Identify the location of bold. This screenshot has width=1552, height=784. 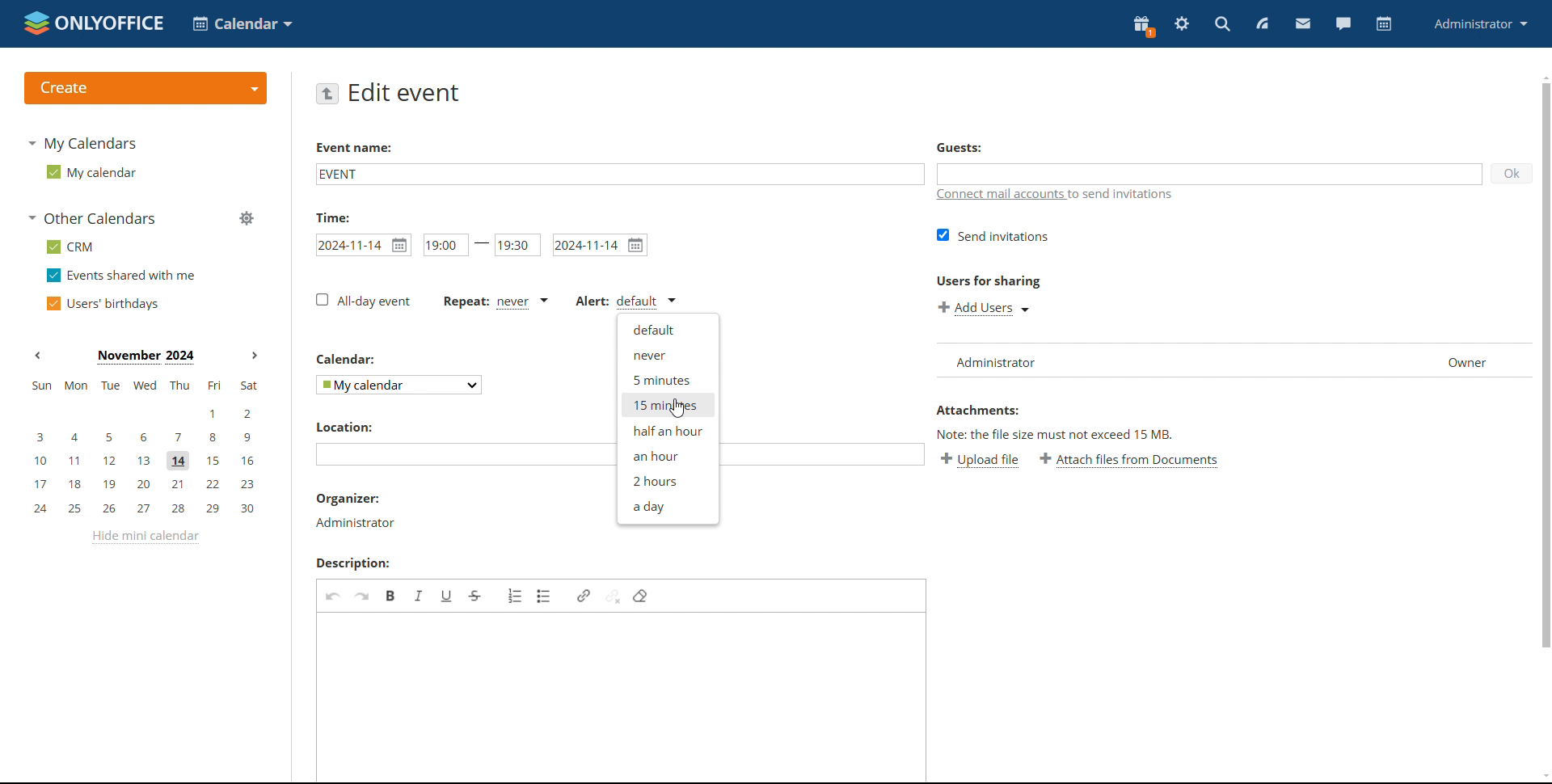
(390, 595).